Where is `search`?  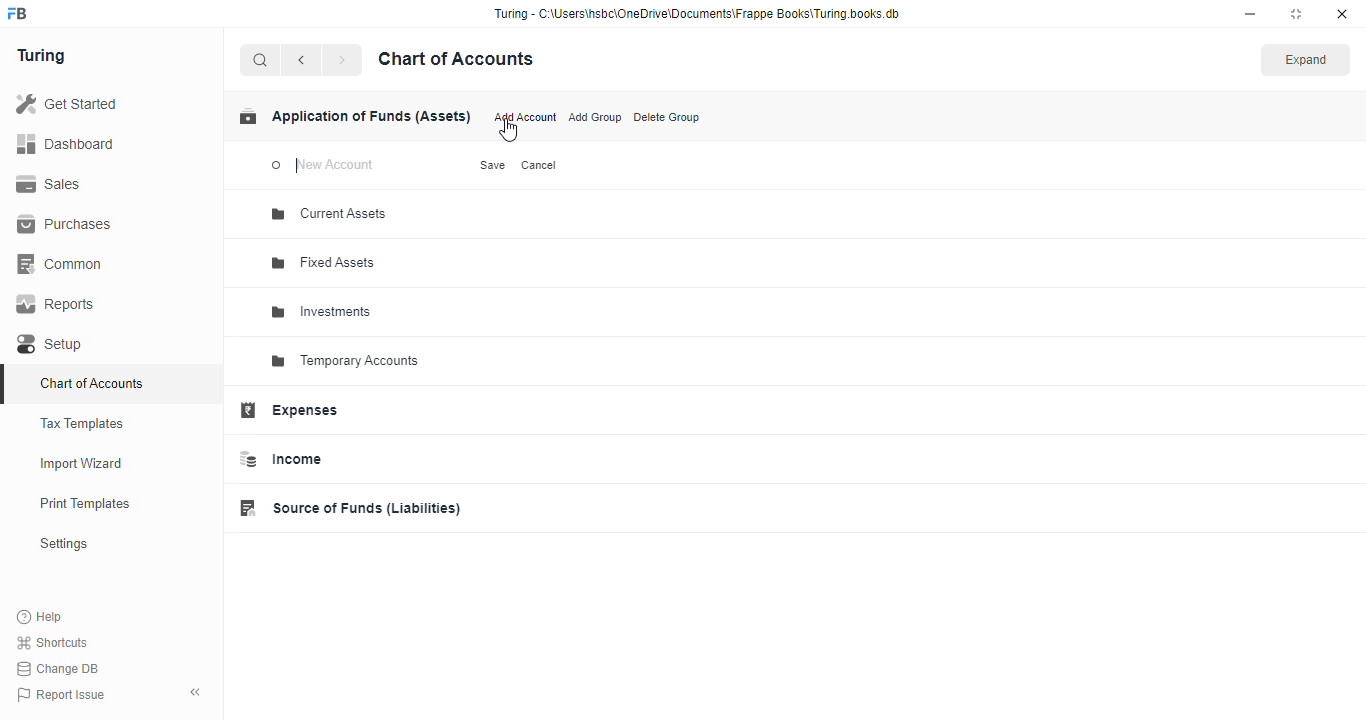 search is located at coordinates (261, 60).